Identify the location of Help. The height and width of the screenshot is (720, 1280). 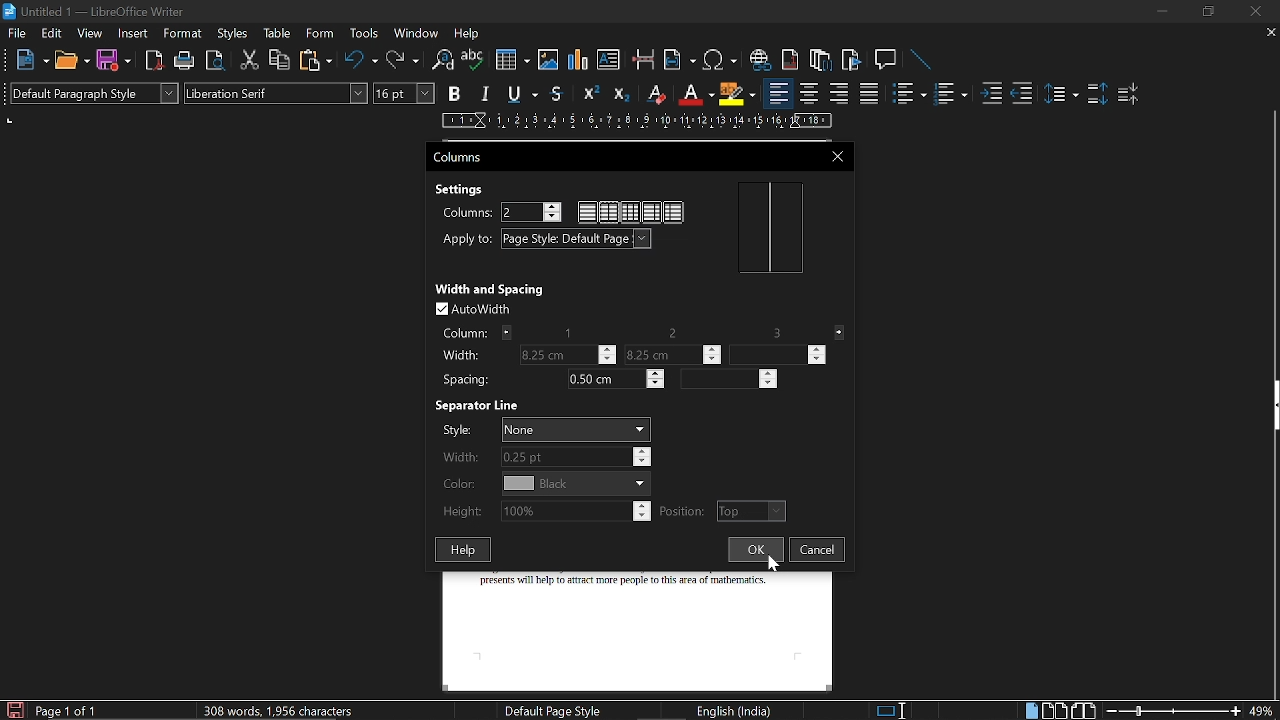
(461, 547).